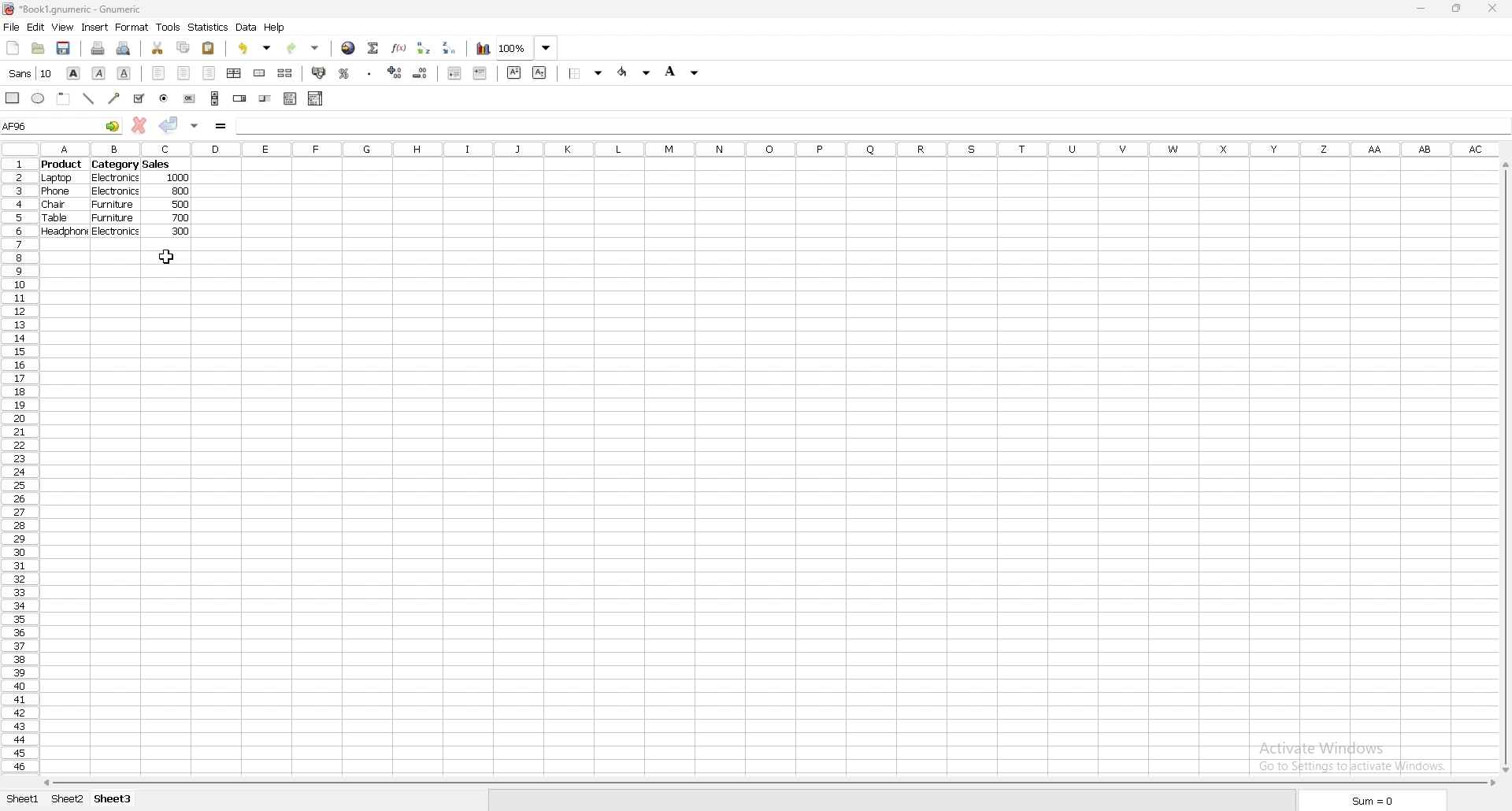 The width and height of the screenshot is (1512, 811). I want to click on furniture, so click(113, 205).